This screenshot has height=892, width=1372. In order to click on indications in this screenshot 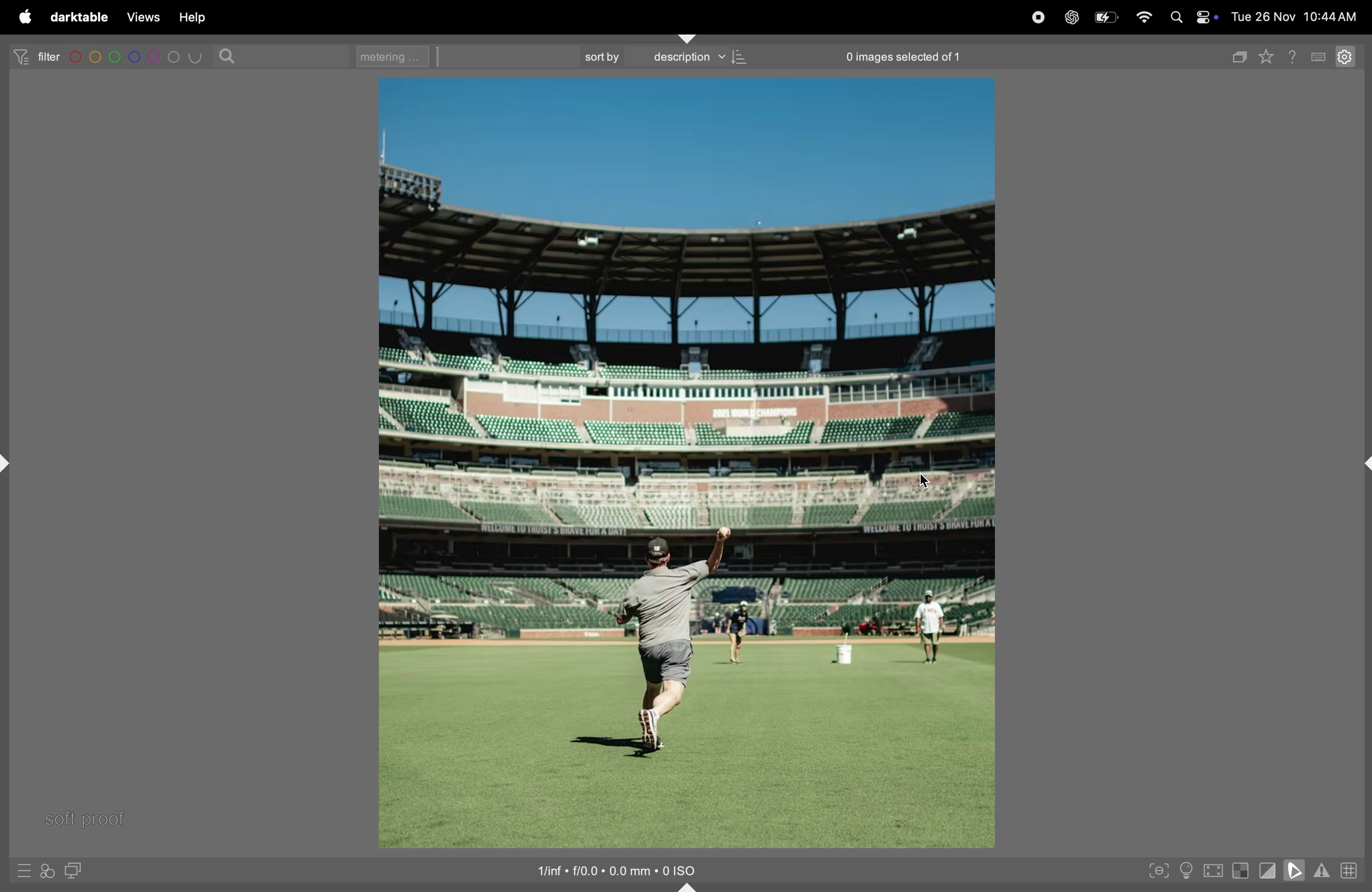, I will do `click(1322, 870)`.